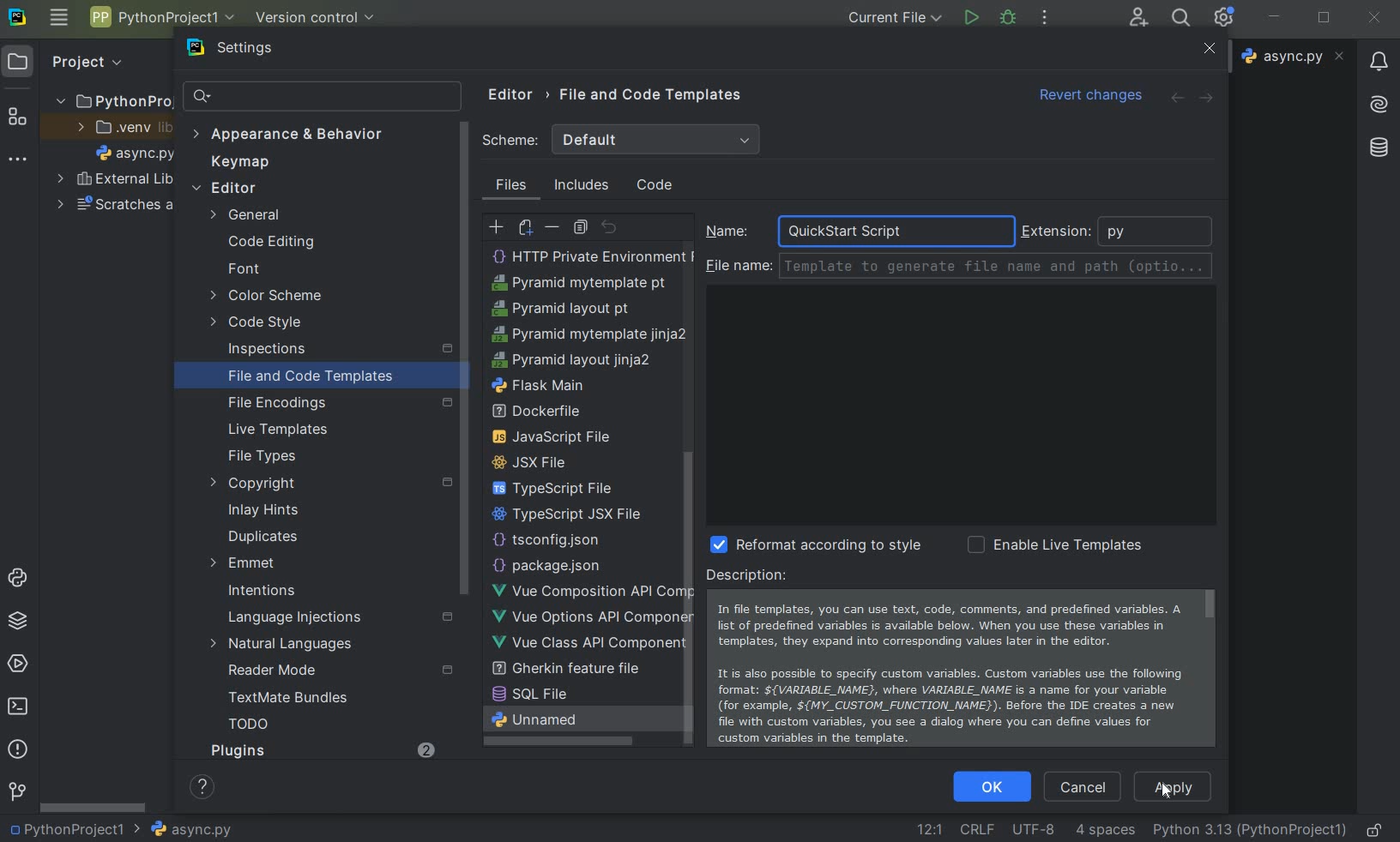 This screenshot has width=1400, height=842. What do you see at coordinates (244, 270) in the screenshot?
I see `font` at bounding box center [244, 270].